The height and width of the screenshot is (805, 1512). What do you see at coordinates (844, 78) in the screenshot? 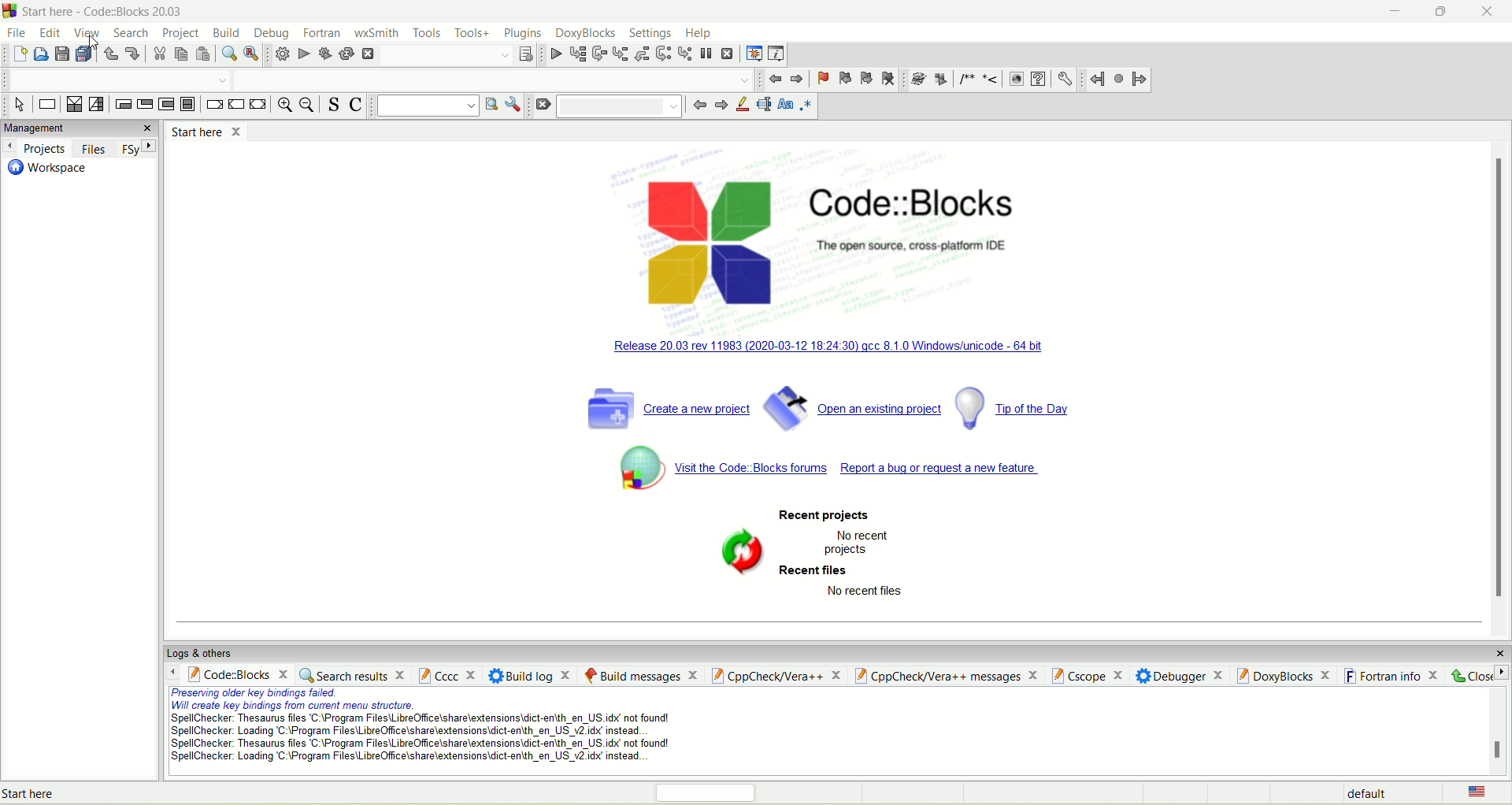
I see `prev bookmark` at bounding box center [844, 78].